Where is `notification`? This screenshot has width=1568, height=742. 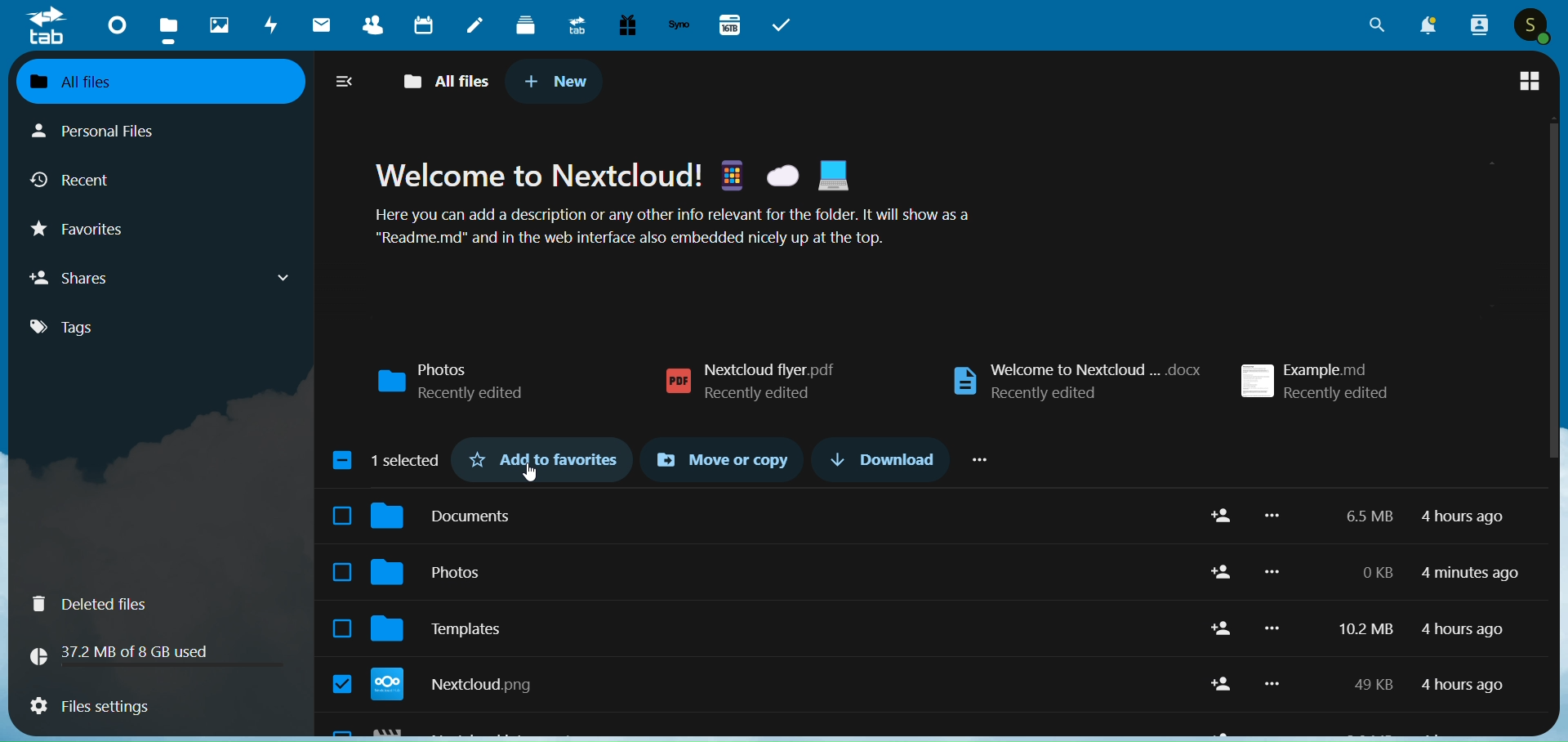
notification is located at coordinates (1430, 25).